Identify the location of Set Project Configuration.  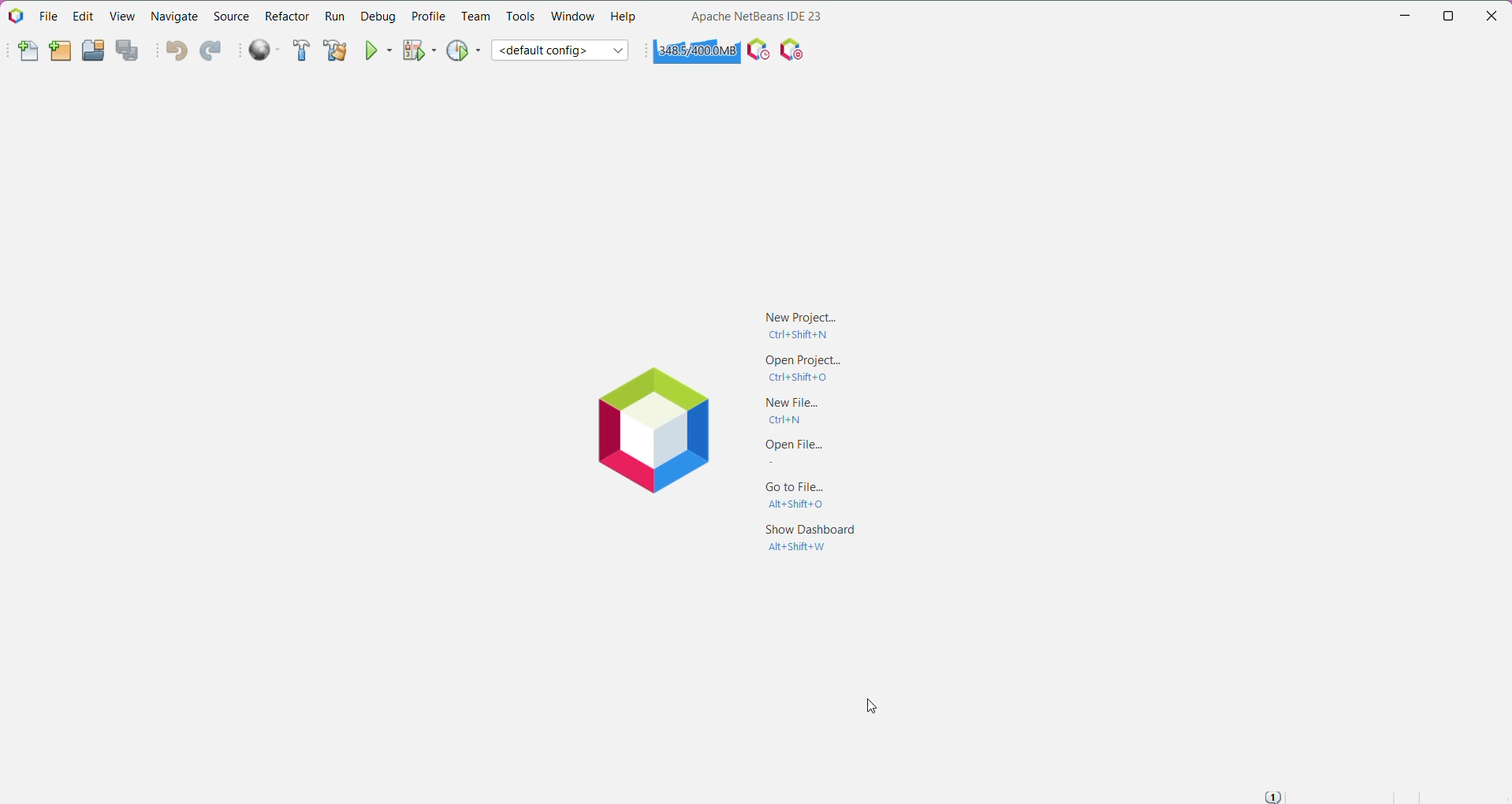
(561, 50).